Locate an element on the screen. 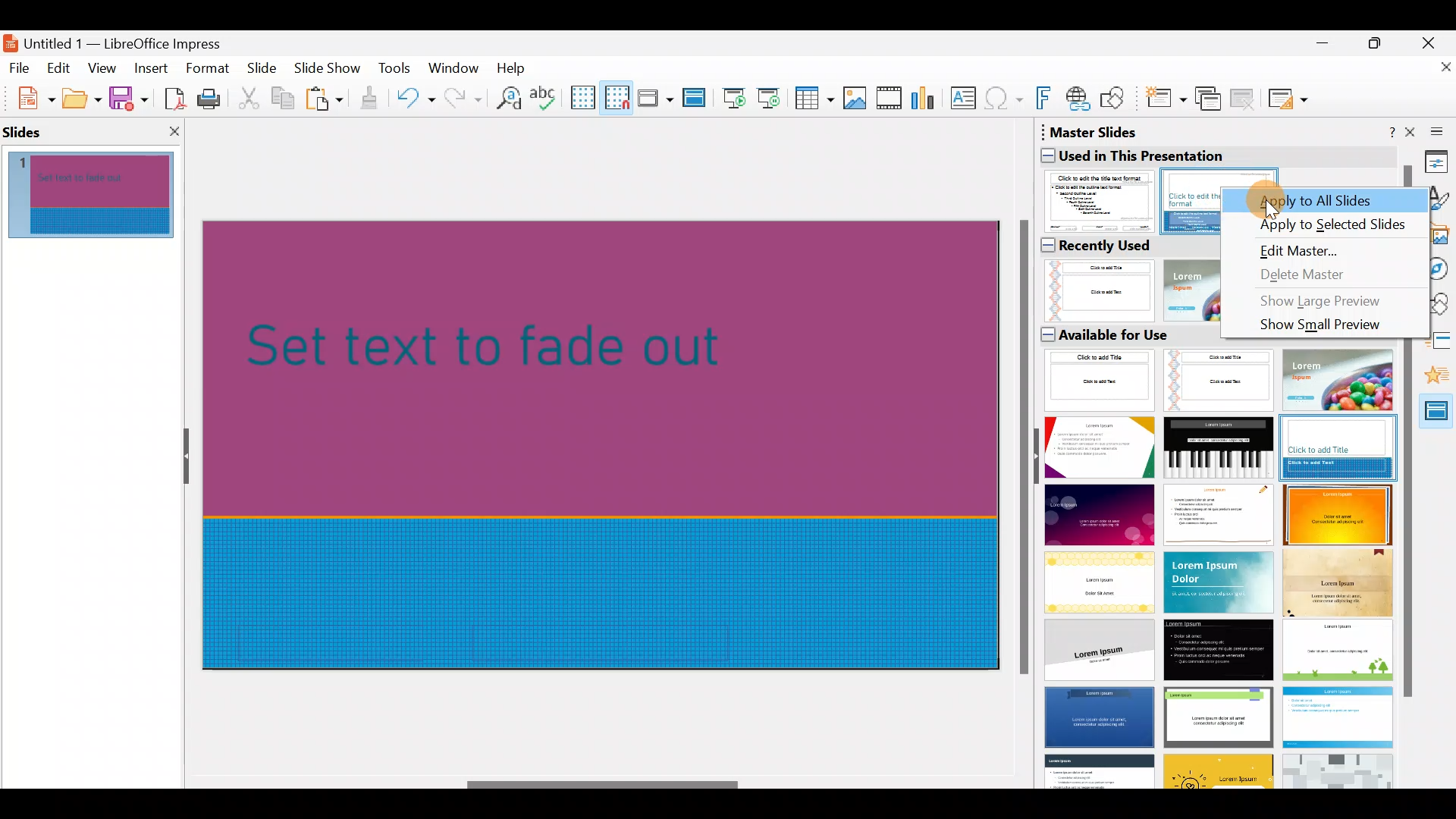  Styles is located at coordinates (1437, 200).